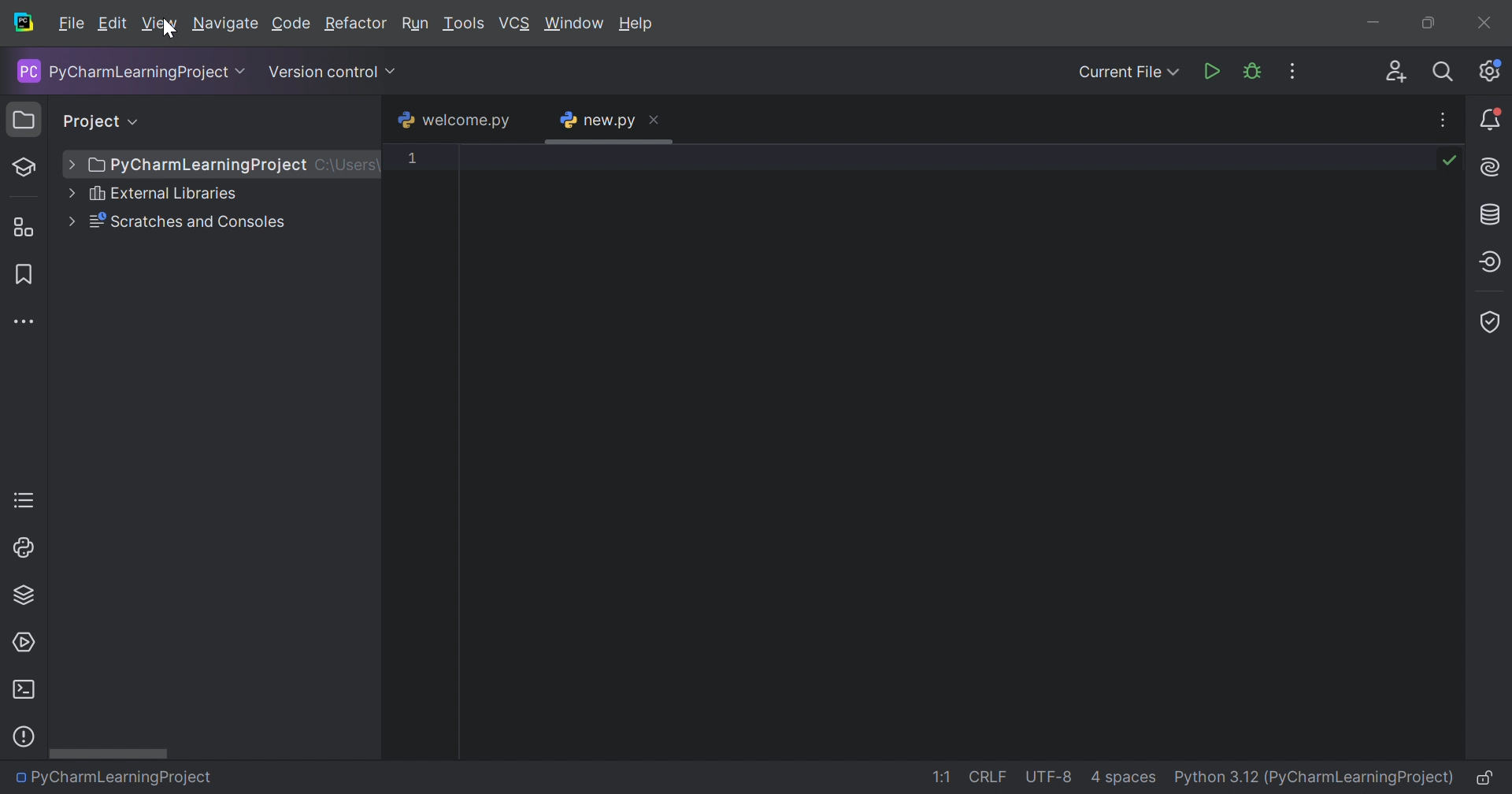 The width and height of the screenshot is (1512, 794). I want to click on PyCharm icon, so click(27, 24).